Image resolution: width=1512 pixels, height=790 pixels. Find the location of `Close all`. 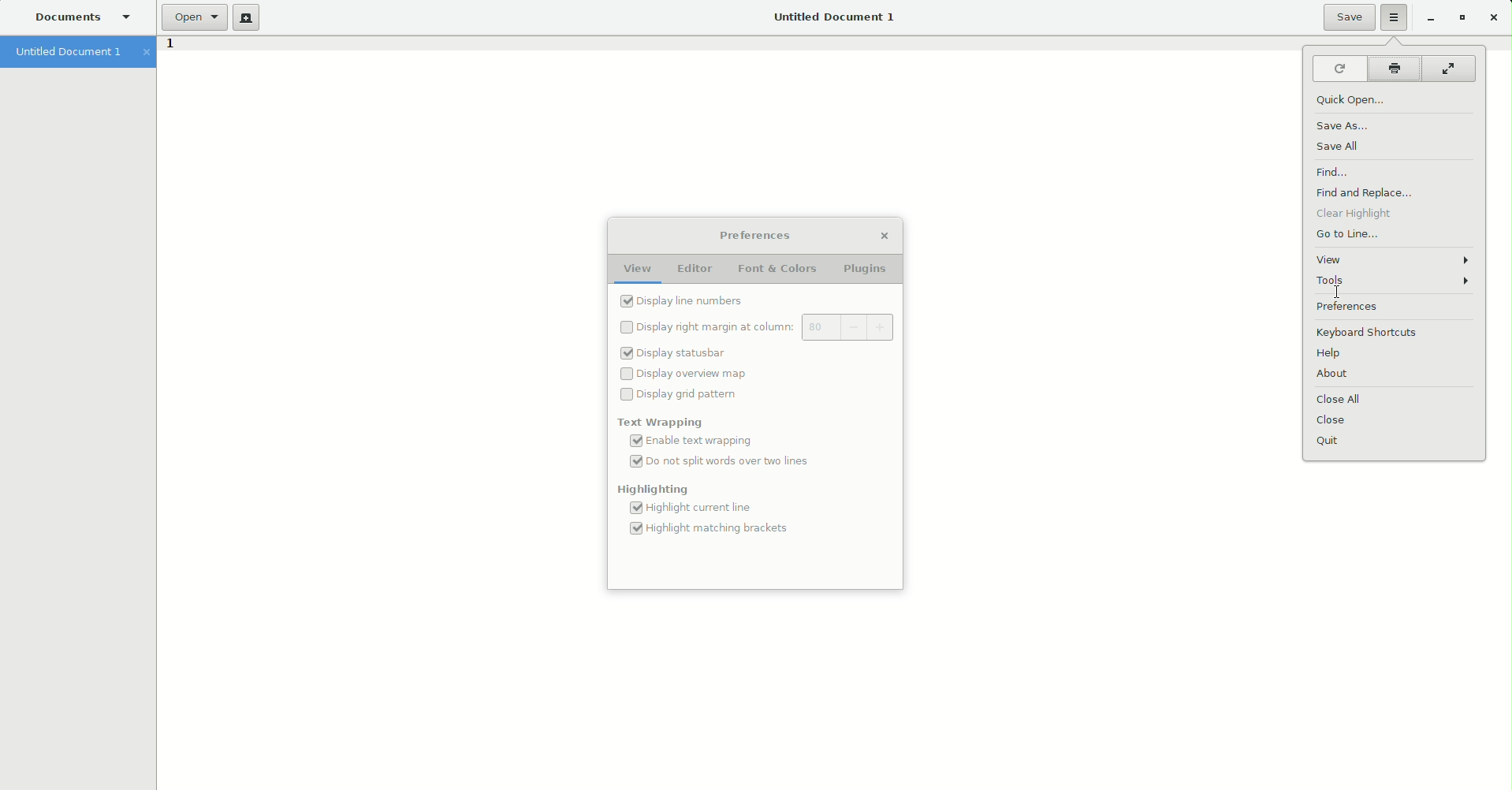

Close all is located at coordinates (1343, 402).